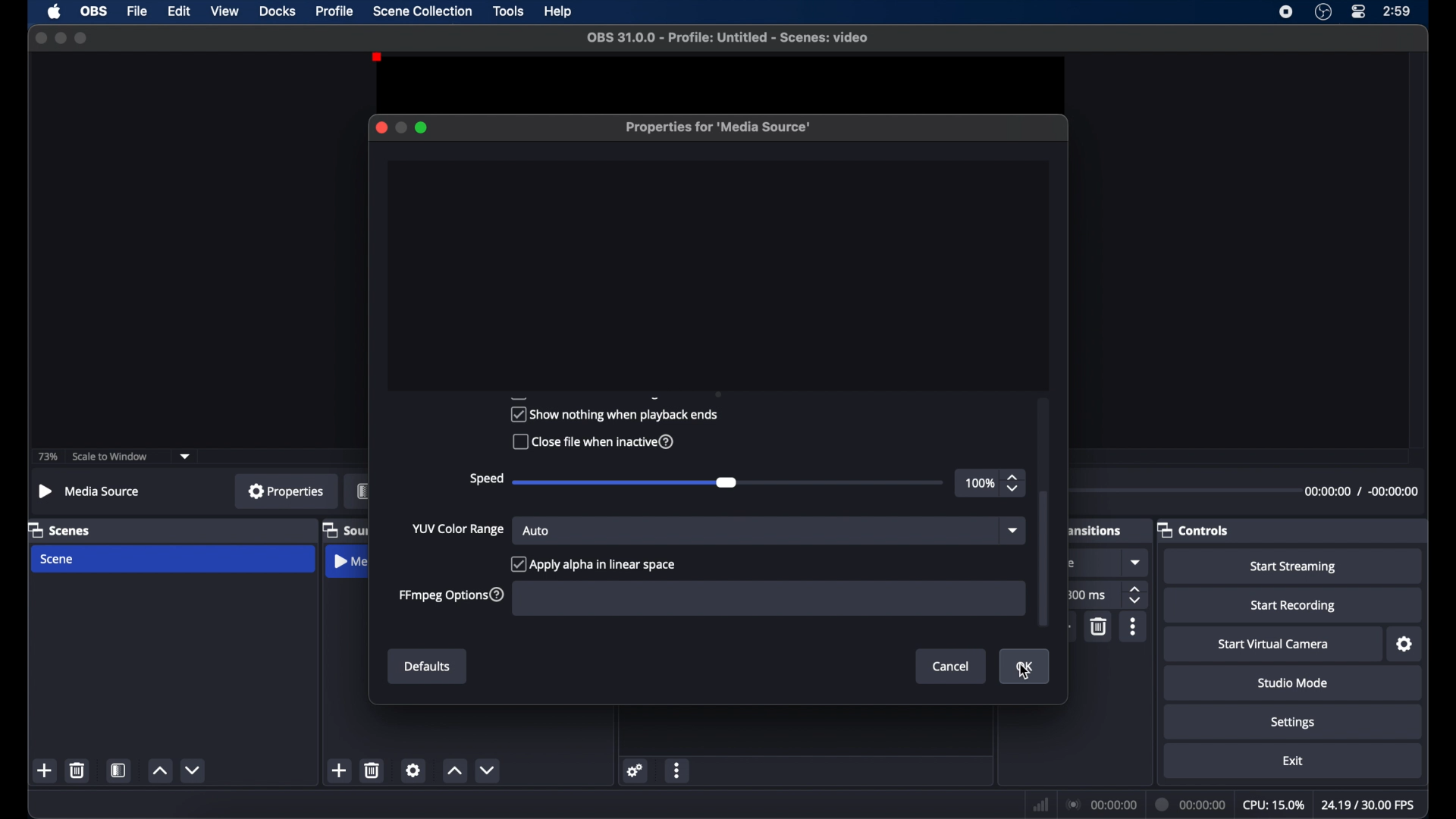 The height and width of the screenshot is (819, 1456). Describe the element at coordinates (179, 12) in the screenshot. I see `edit` at that location.